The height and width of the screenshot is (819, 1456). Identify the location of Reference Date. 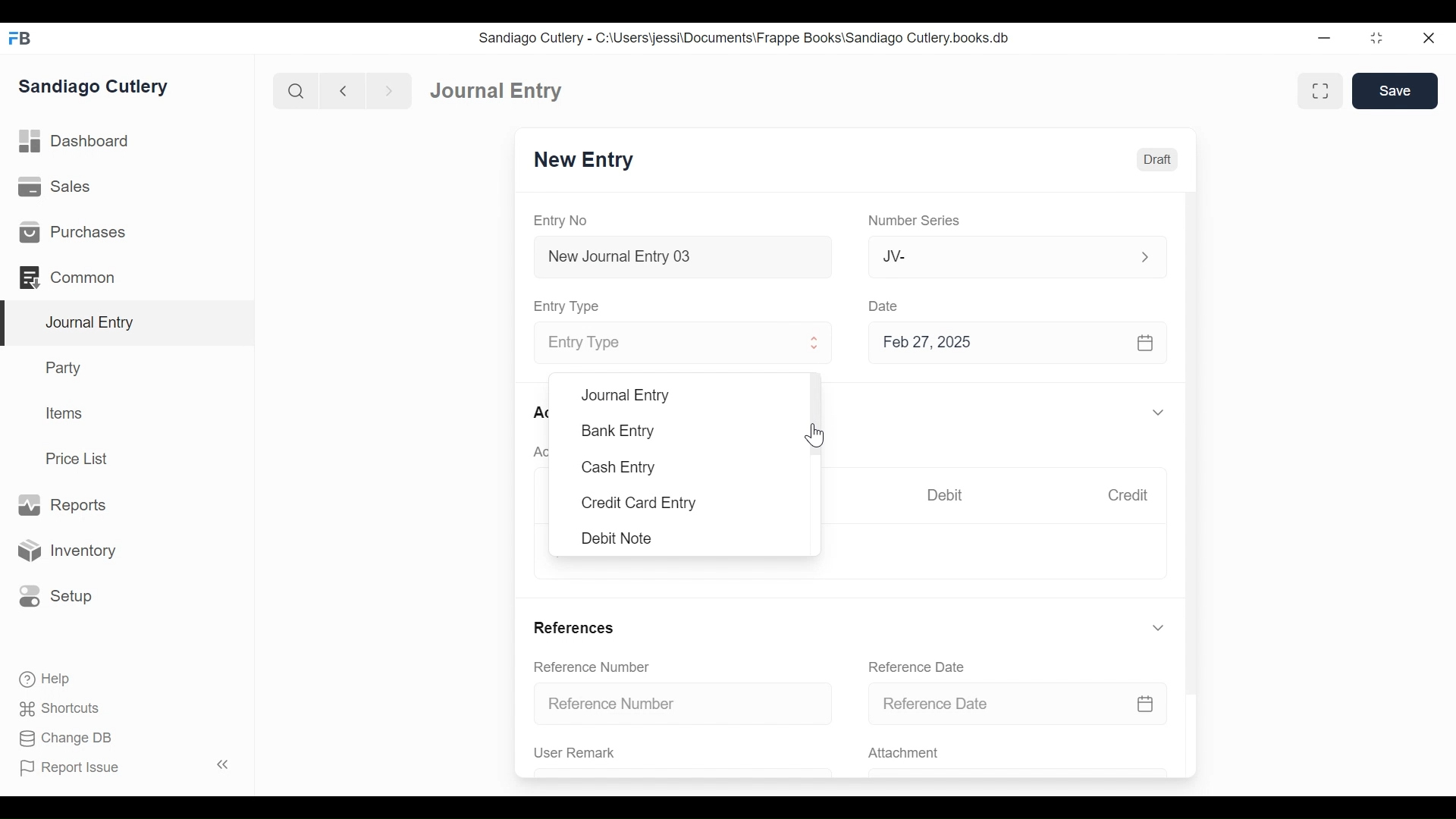
(919, 667).